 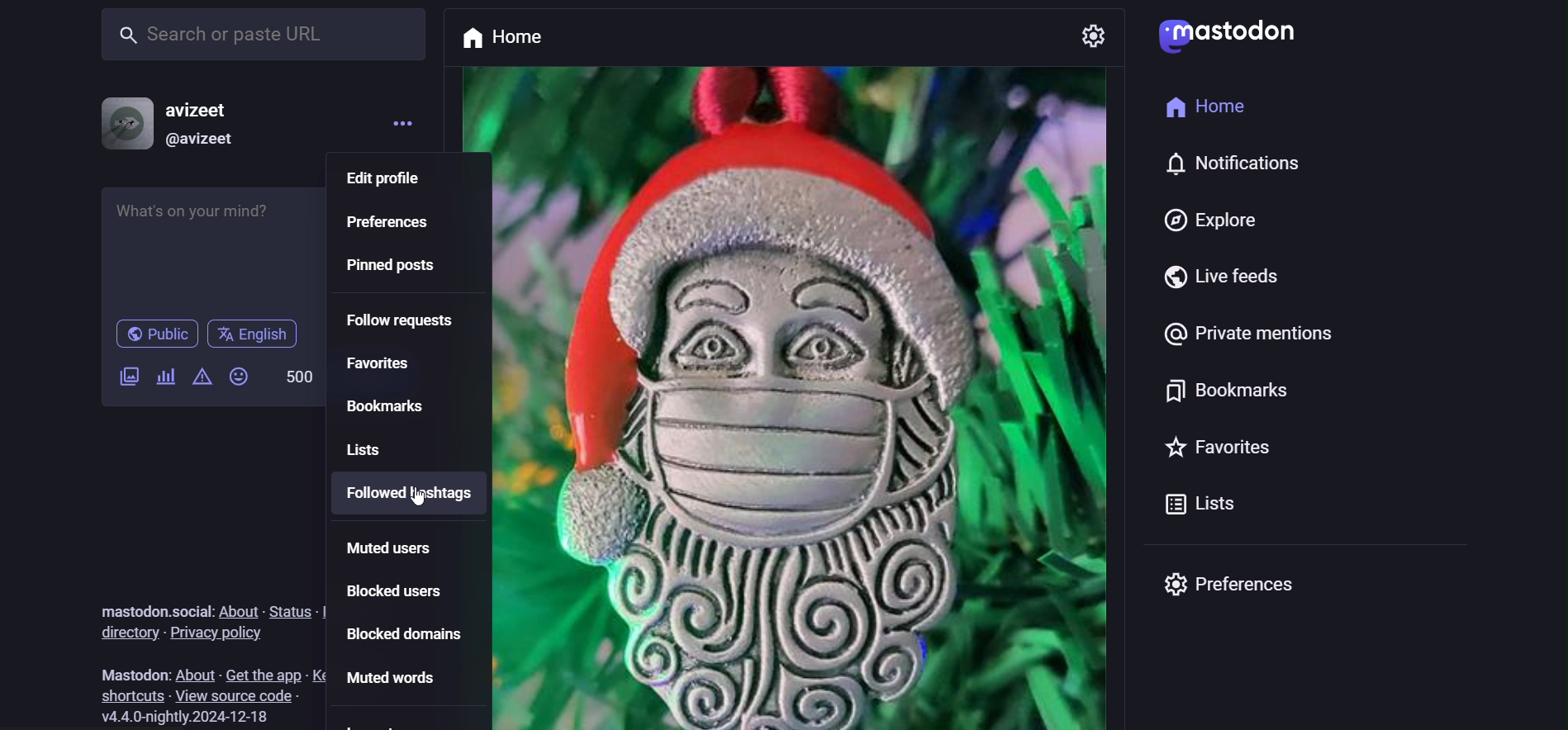 What do you see at coordinates (237, 609) in the screenshot?
I see `about` at bounding box center [237, 609].